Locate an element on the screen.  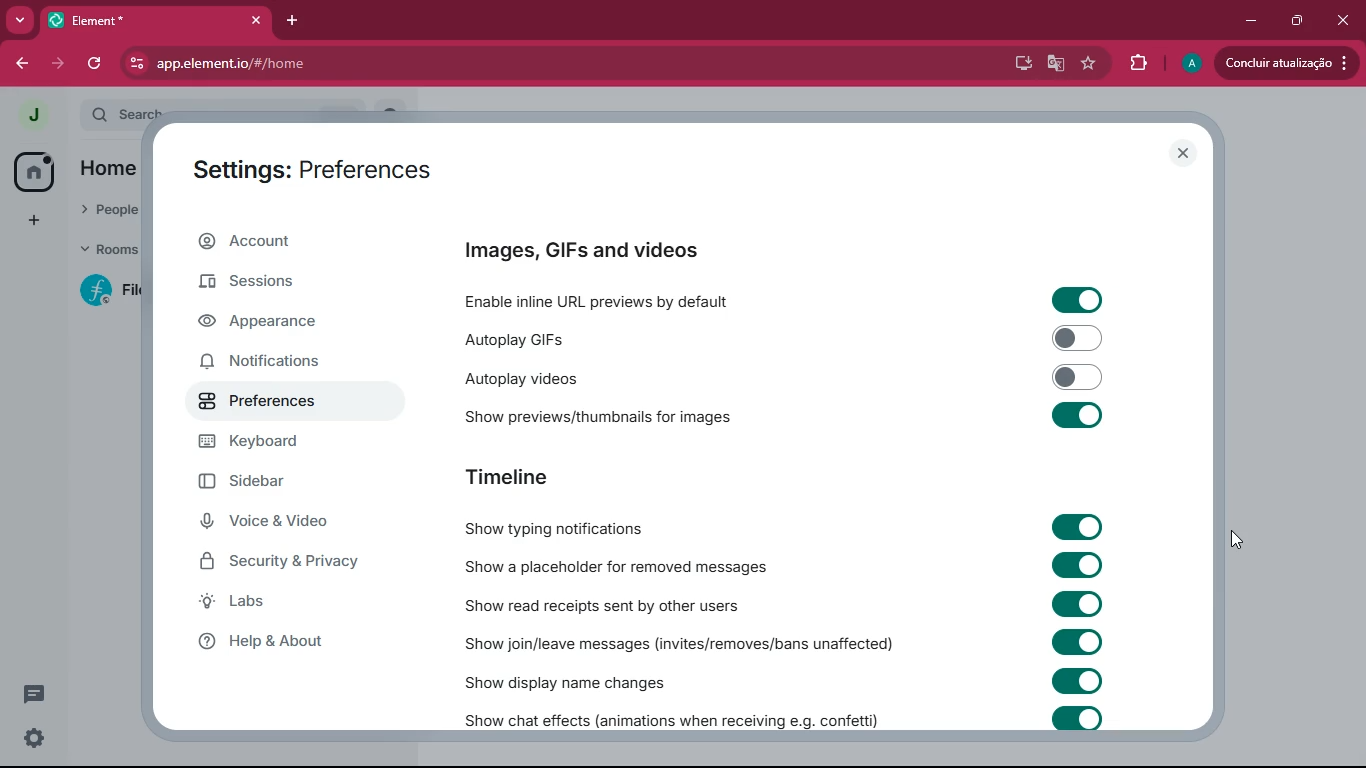
enable inline URL previews by default is located at coordinates (610, 299).